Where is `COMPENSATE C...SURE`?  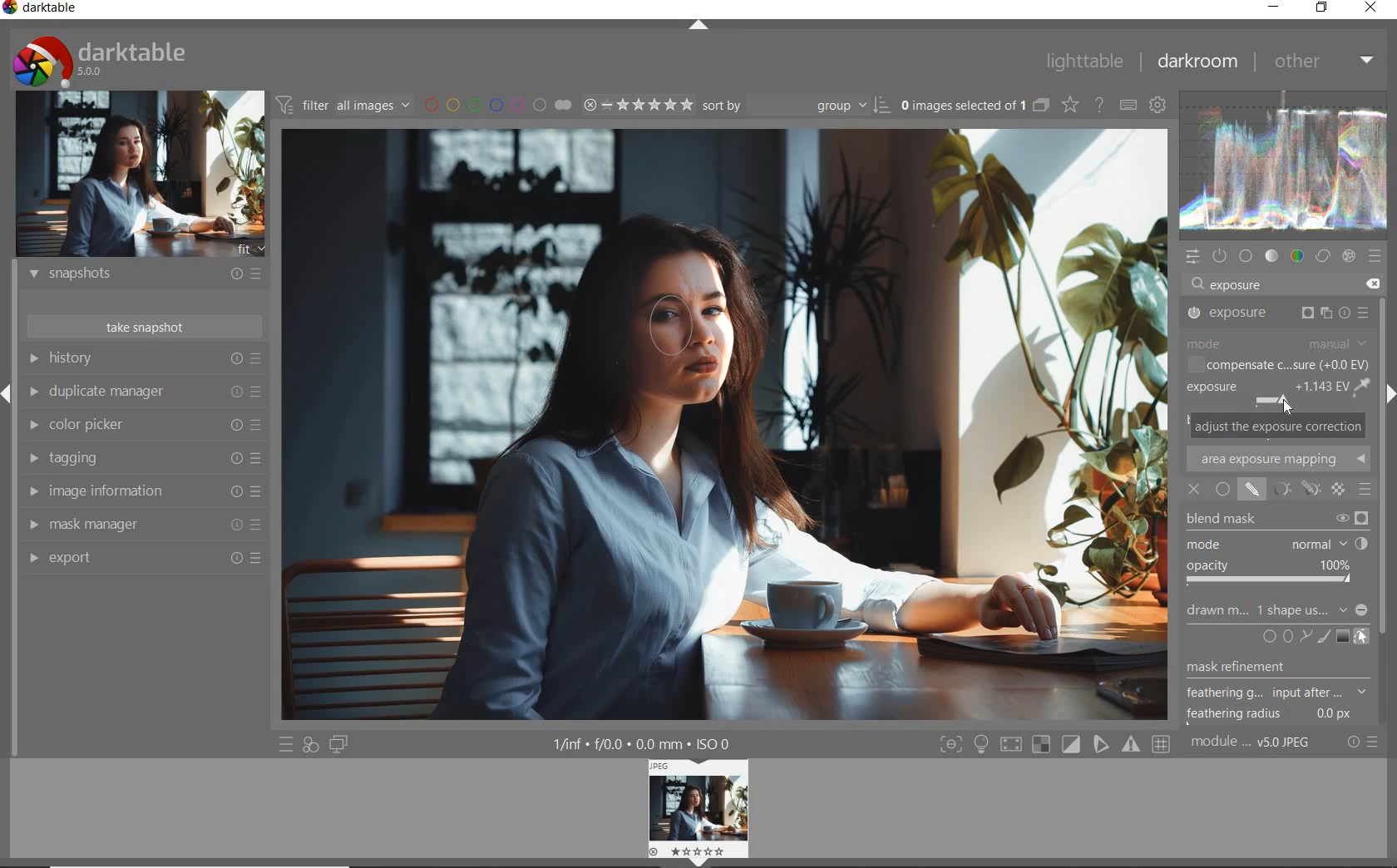
COMPENSATE C...SURE is located at coordinates (1279, 365).